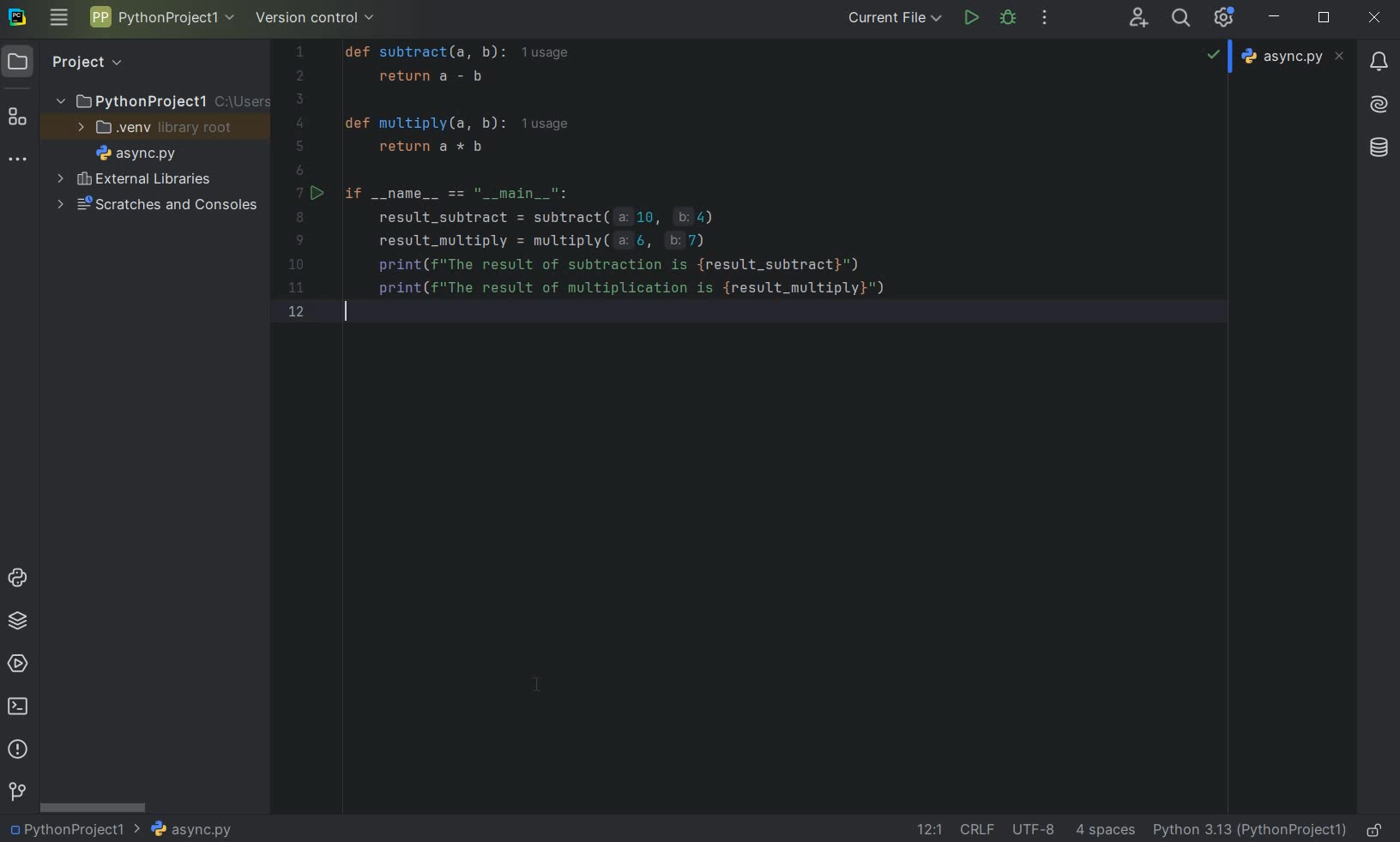  I want to click on line separator, so click(979, 828).